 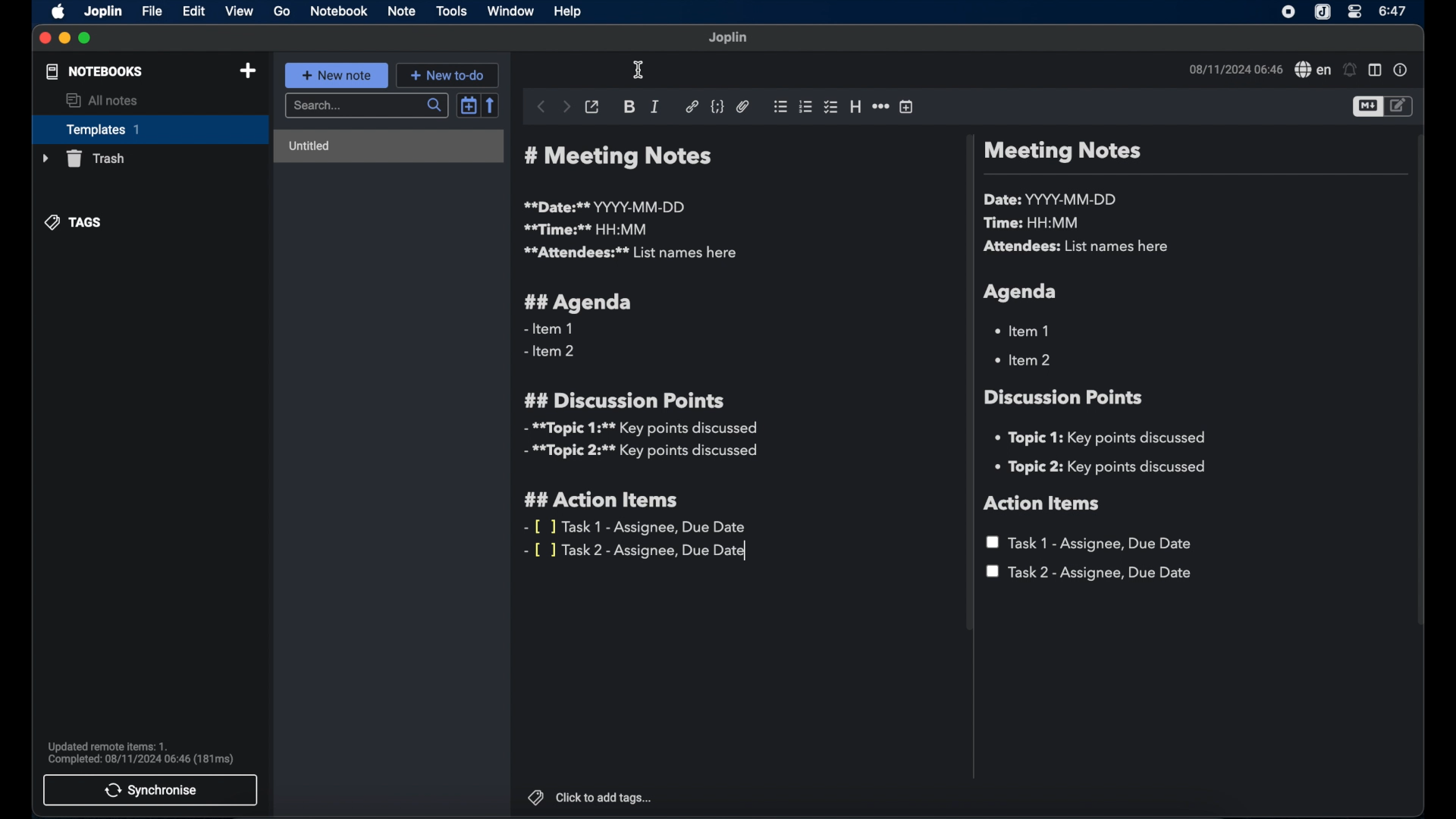 I want to click on code, so click(x=718, y=105).